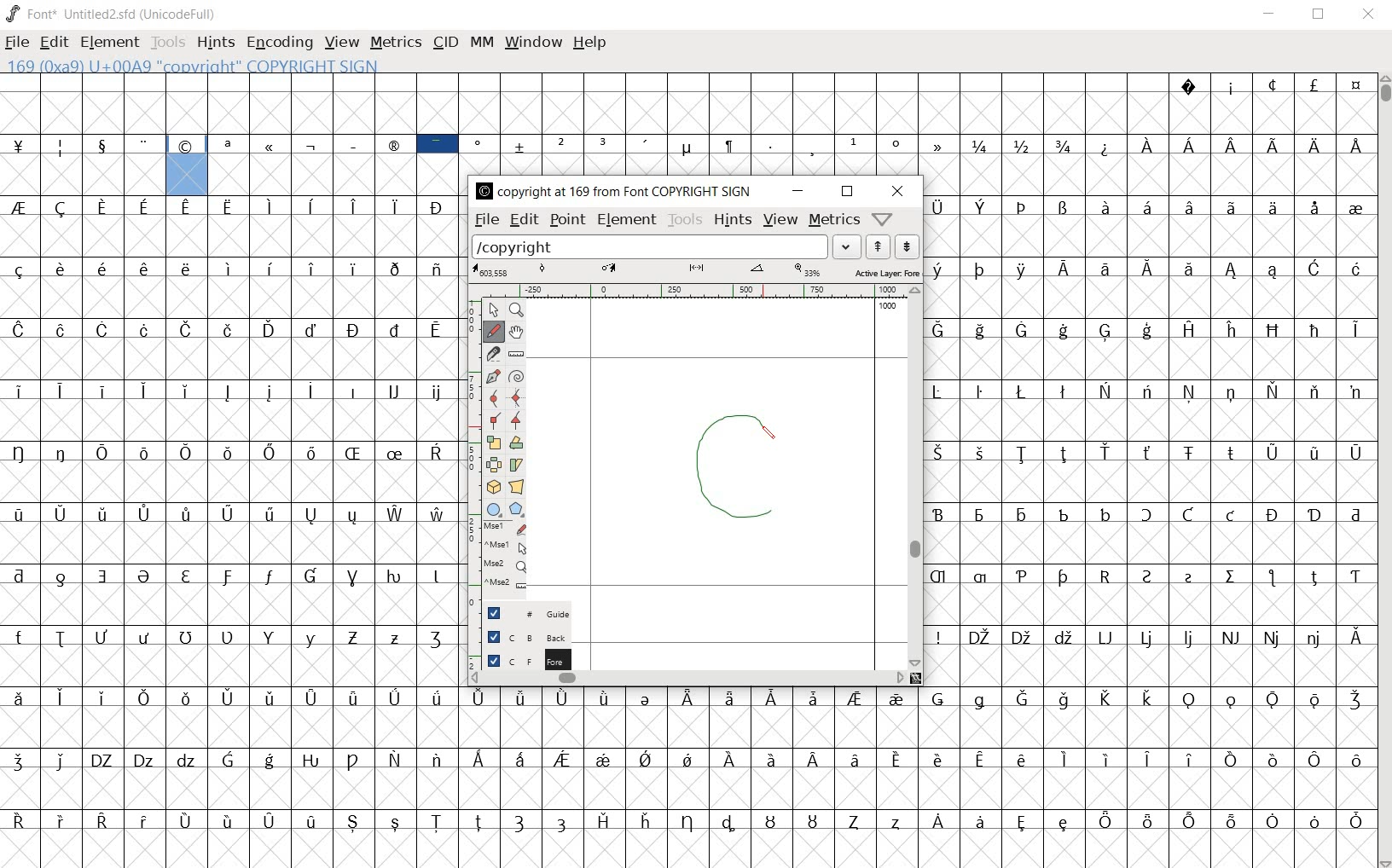  What do you see at coordinates (494, 443) in the screenshot?
I see `scale the selection` at bounding box center [494, 443].